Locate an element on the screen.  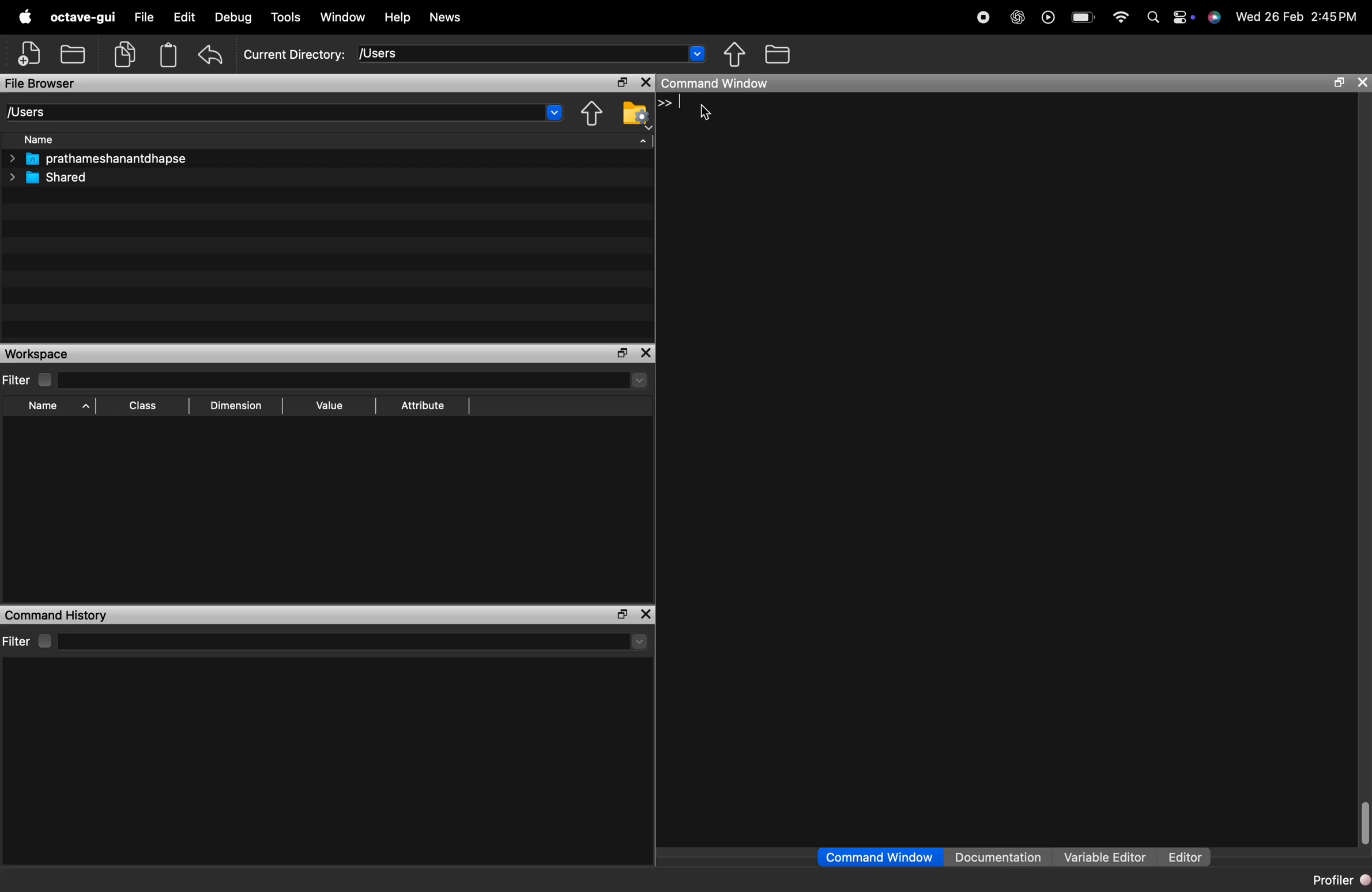
File Browser is located at coordinates (56, 82).